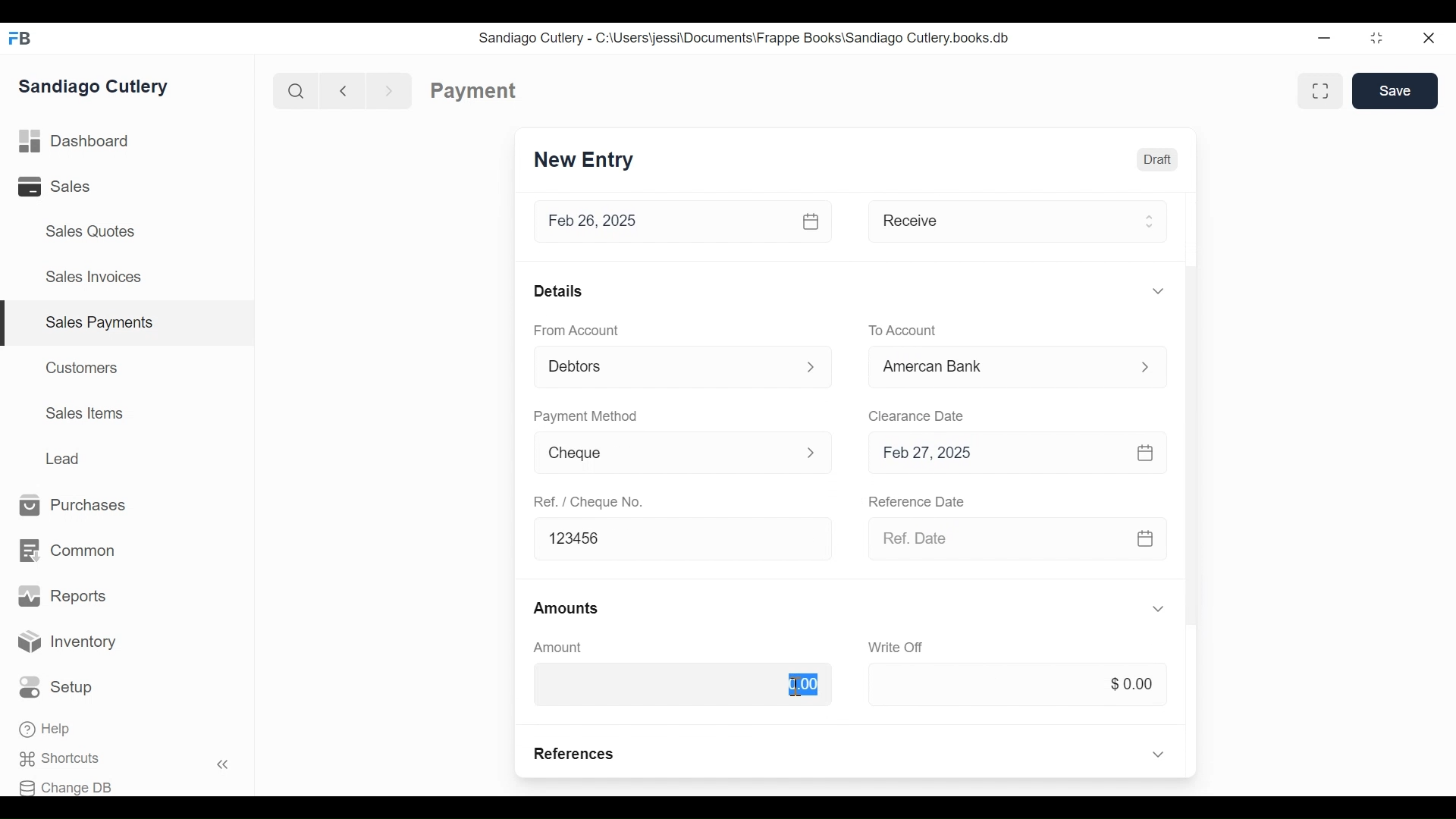  Describe the element at coordinates (576, 754) in the screenshot. I see `References` at that location.